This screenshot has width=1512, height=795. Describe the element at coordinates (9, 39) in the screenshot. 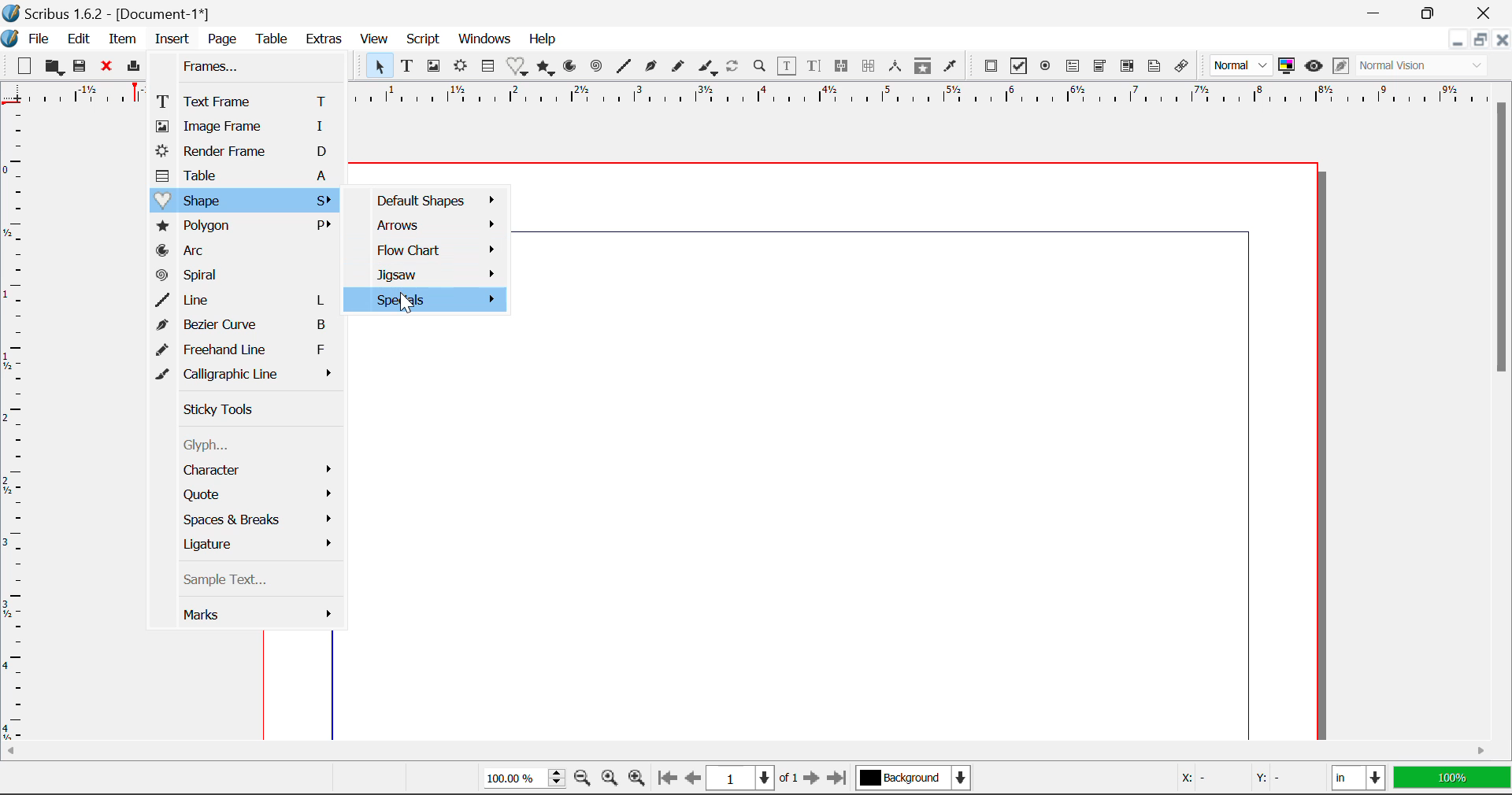

I see `Scribus Logo` at that location.